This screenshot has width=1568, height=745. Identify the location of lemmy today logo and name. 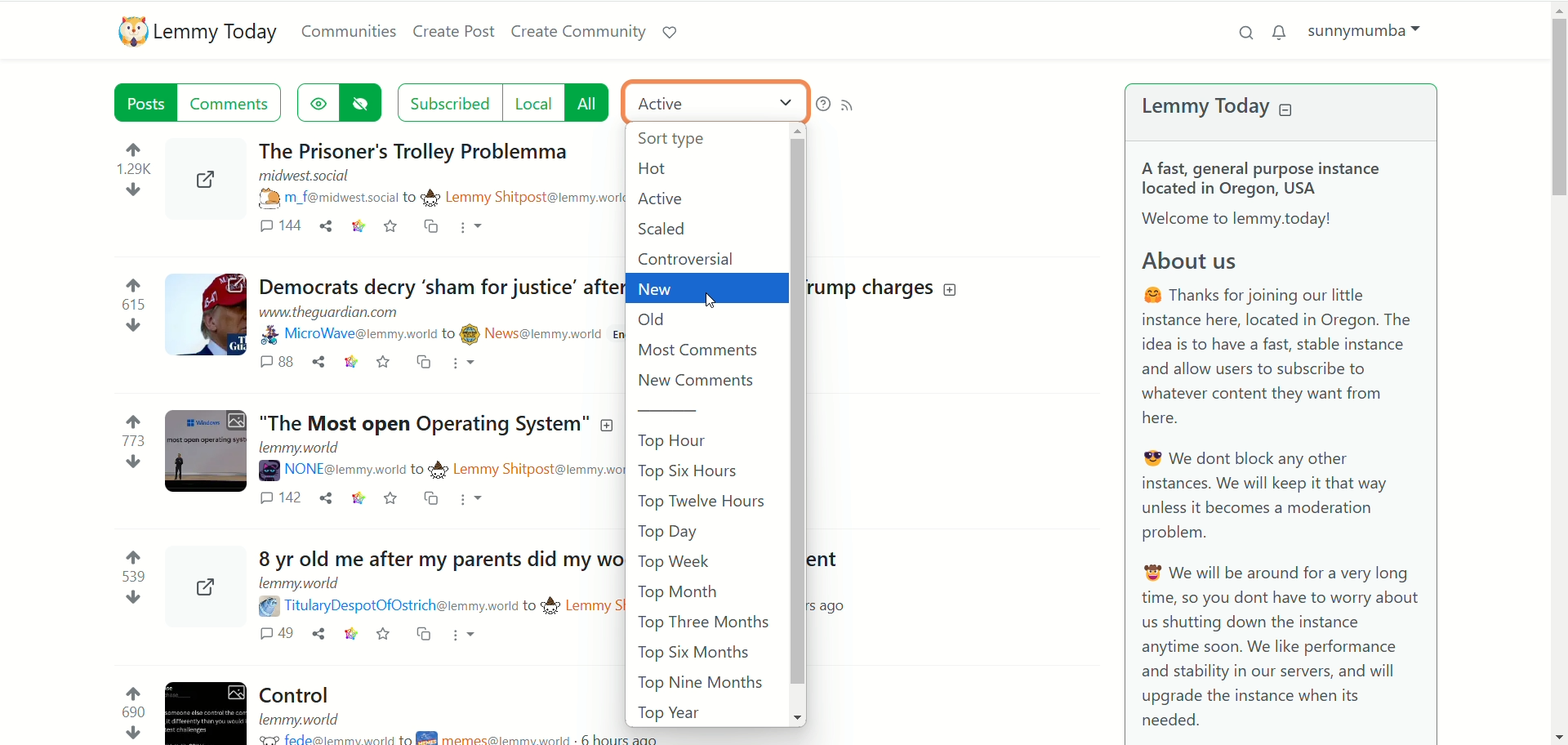
(195, 32).